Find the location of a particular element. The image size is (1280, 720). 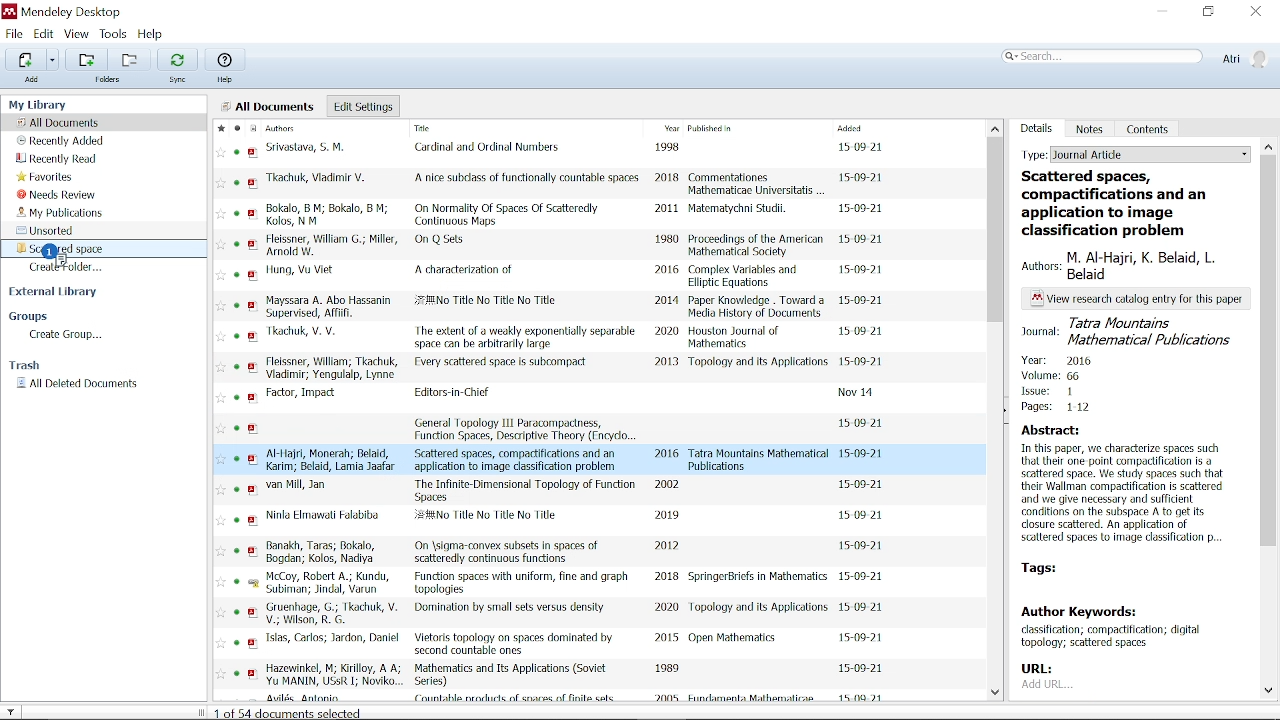

favorites is located at coordinates (220, 414).